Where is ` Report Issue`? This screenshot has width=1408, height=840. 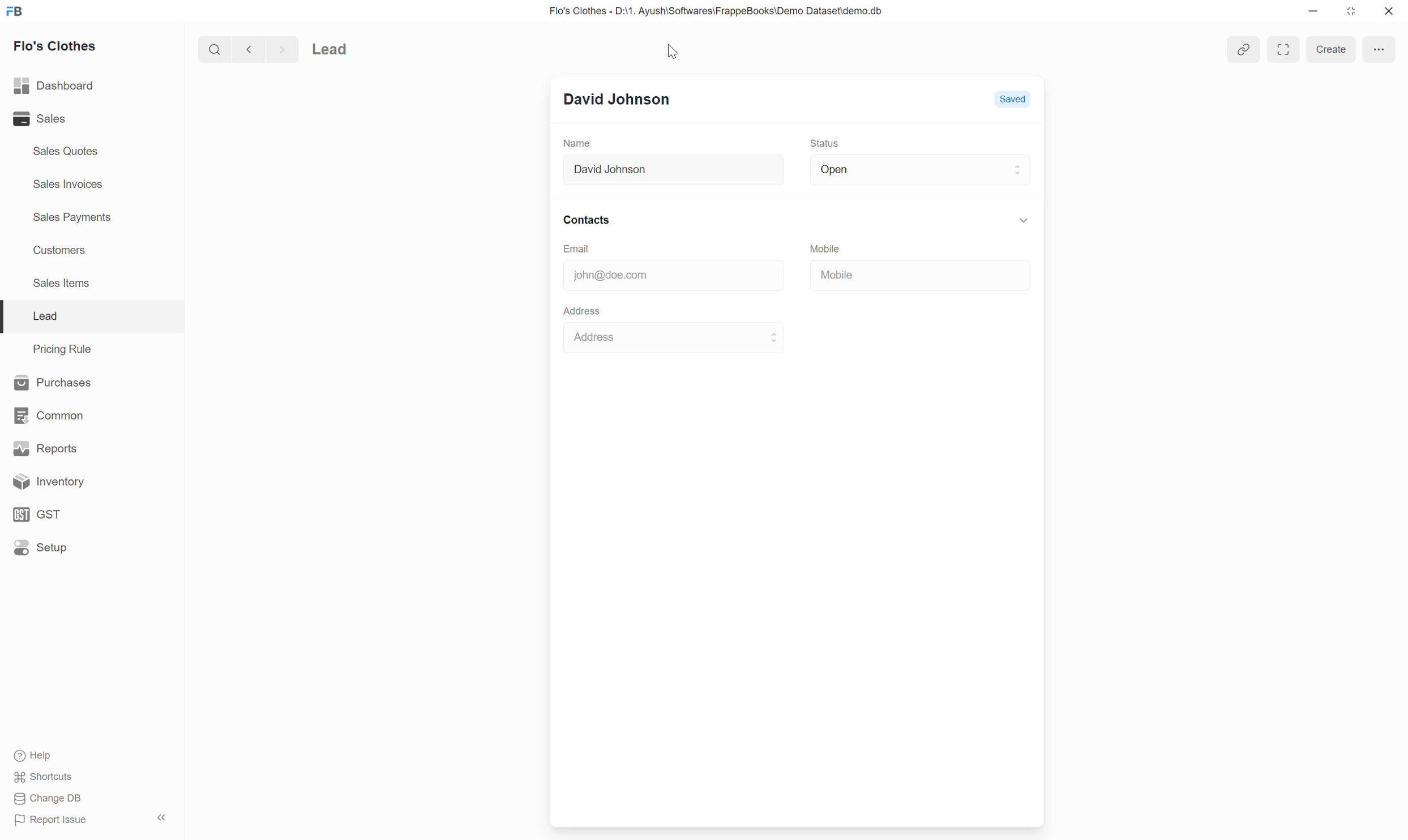  Report Issue is located at coordinates (52, 820).